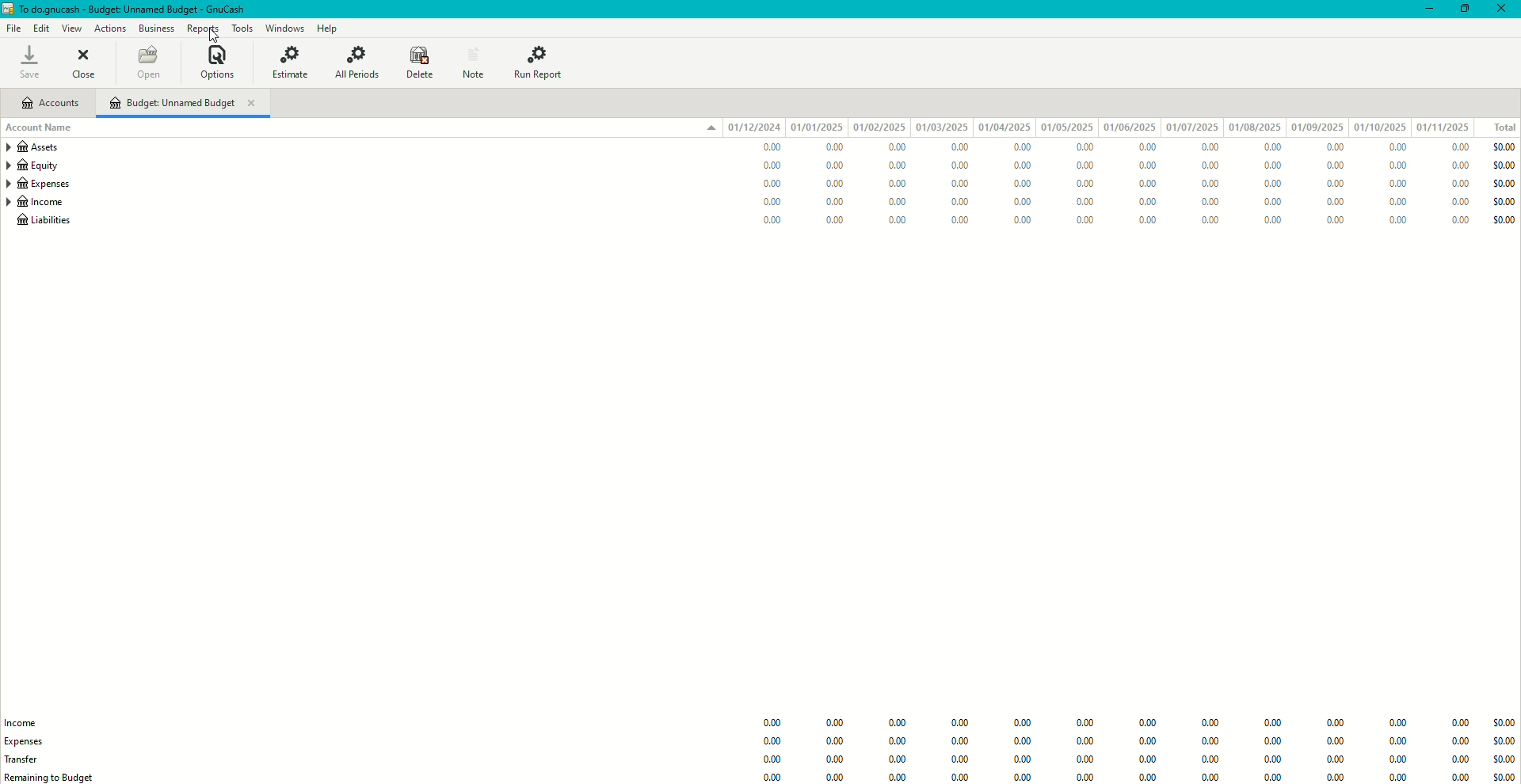  Describe the element at coordinates (839, 202) in the screenshot. I see `0.00` at that location.